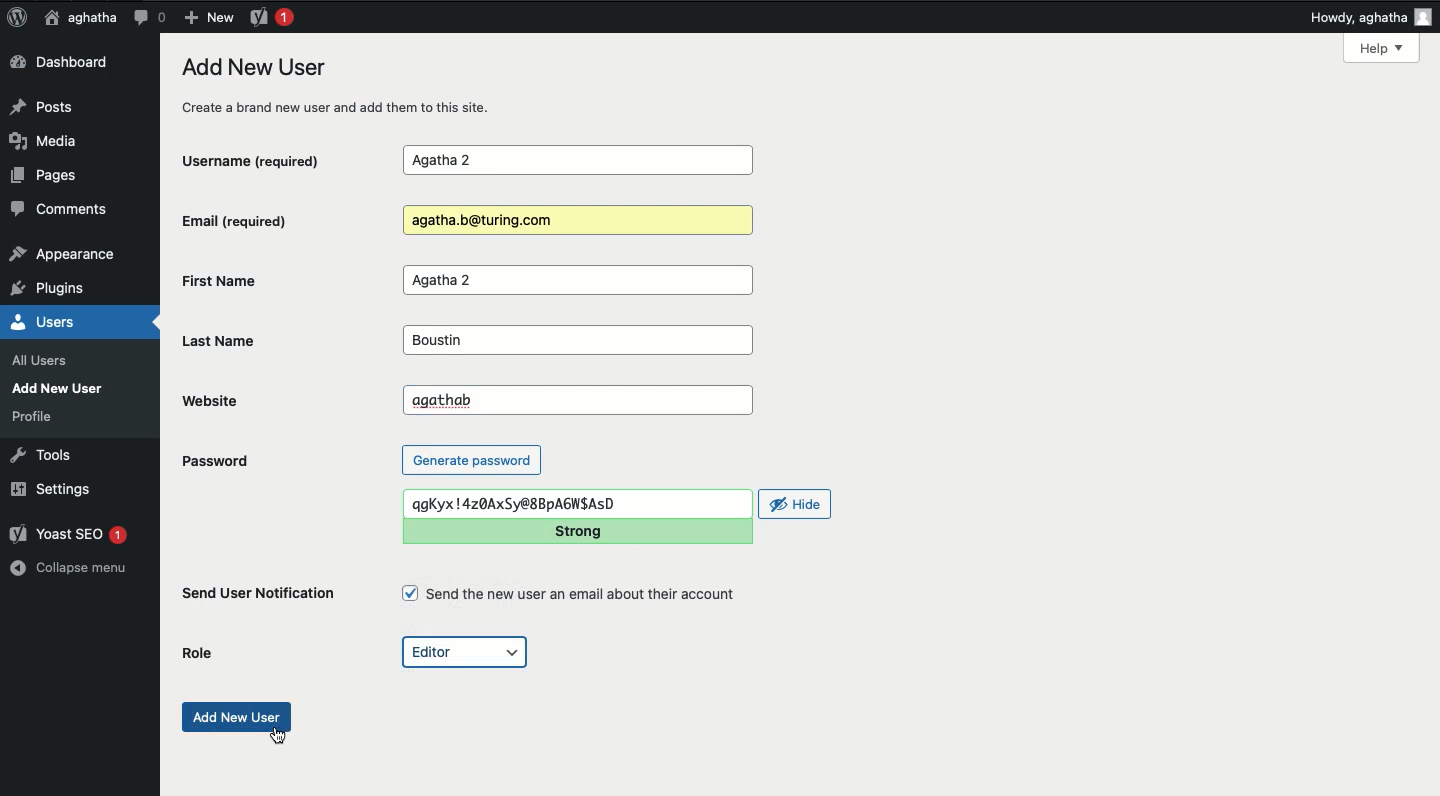 The height and width of the screenshot is (796, 1440). Describe the element at coordinates (259, 400) in the screenshot. I see `Website` at that location.